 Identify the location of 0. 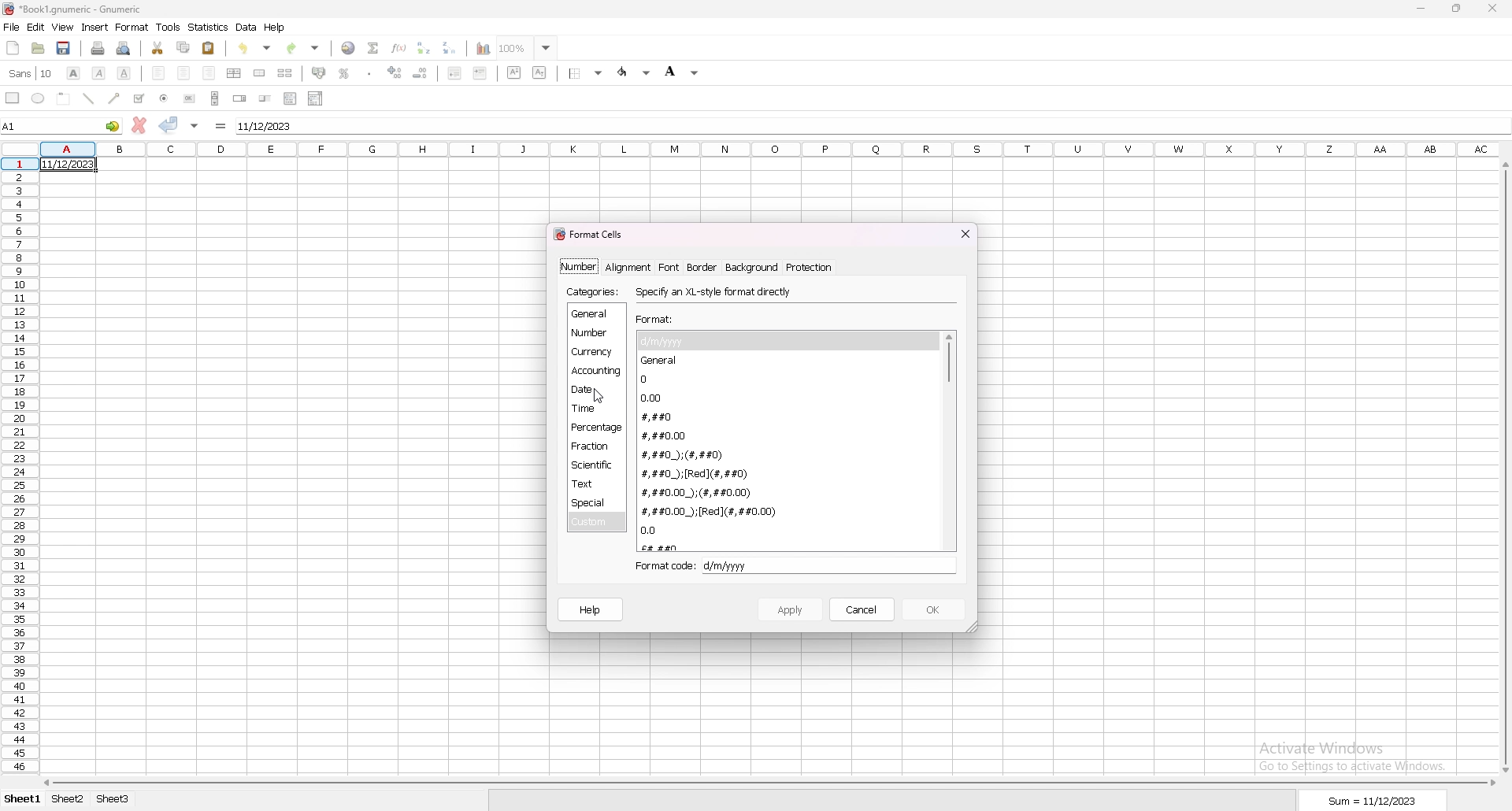
(656, 380).